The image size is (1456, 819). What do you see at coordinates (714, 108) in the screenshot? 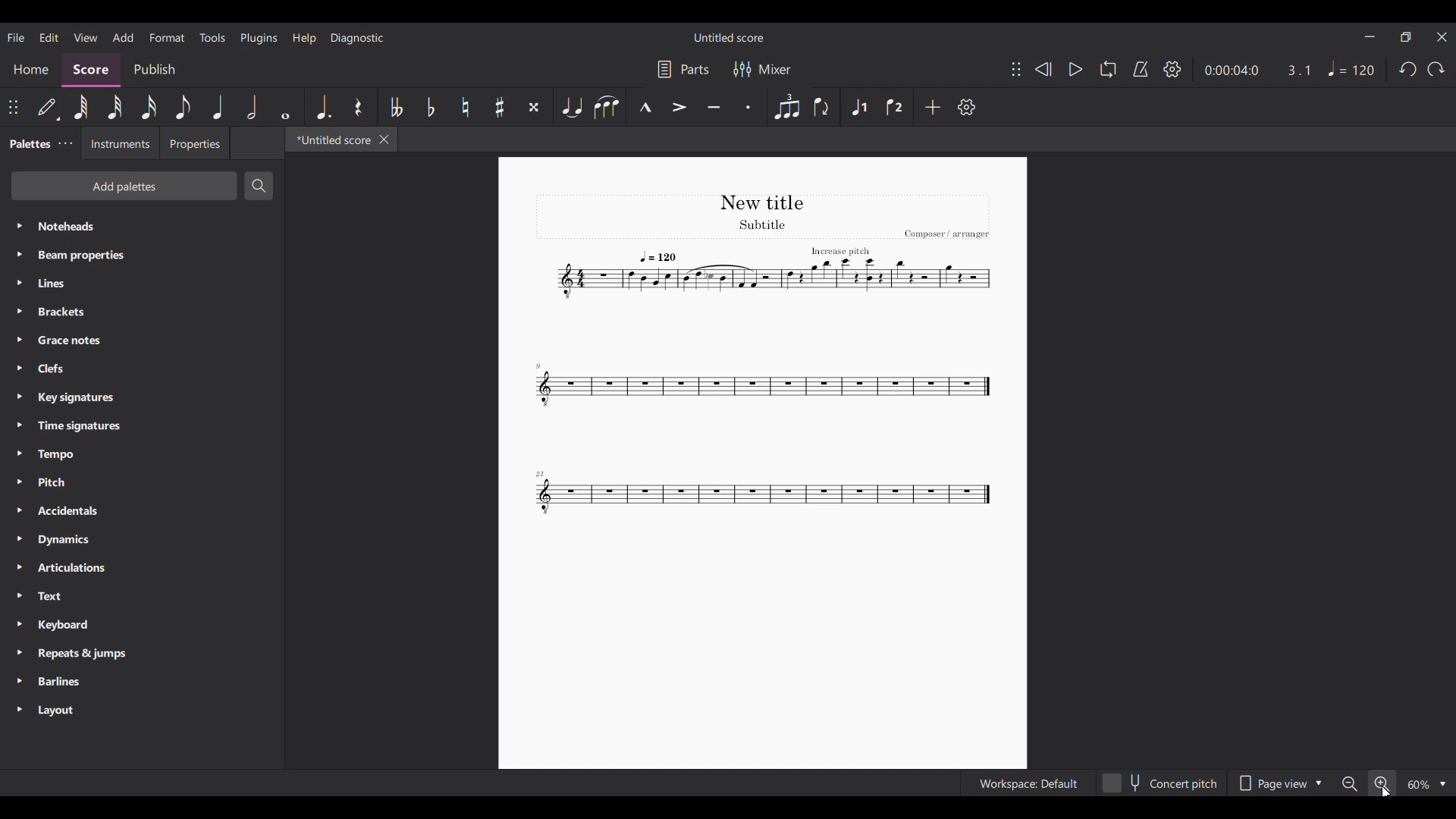
I see `Tenuto` at bounding box center [714, 108].